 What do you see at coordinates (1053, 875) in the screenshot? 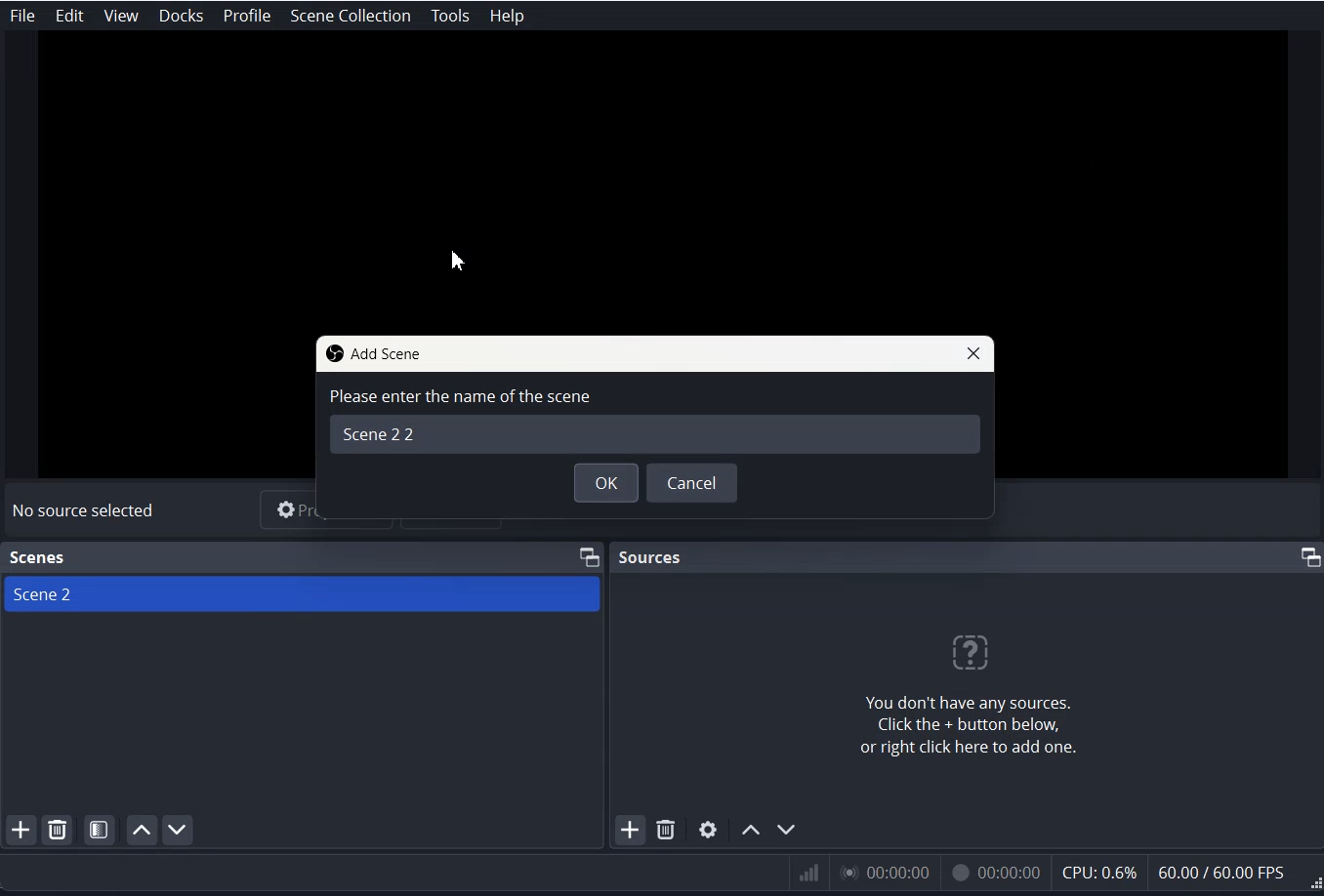
I see `Visual Parameter` at bounding box center [1053, 875].